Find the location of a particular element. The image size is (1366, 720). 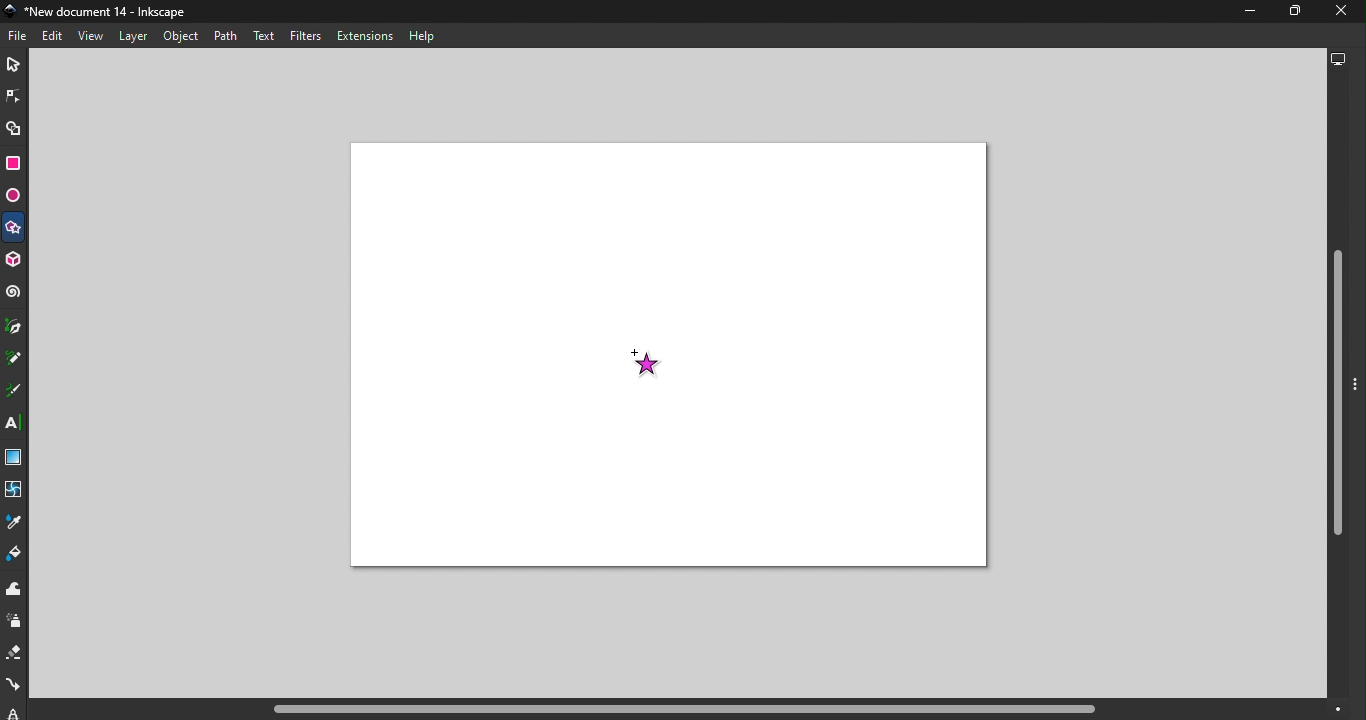

View is located at coordinates (93, 36).